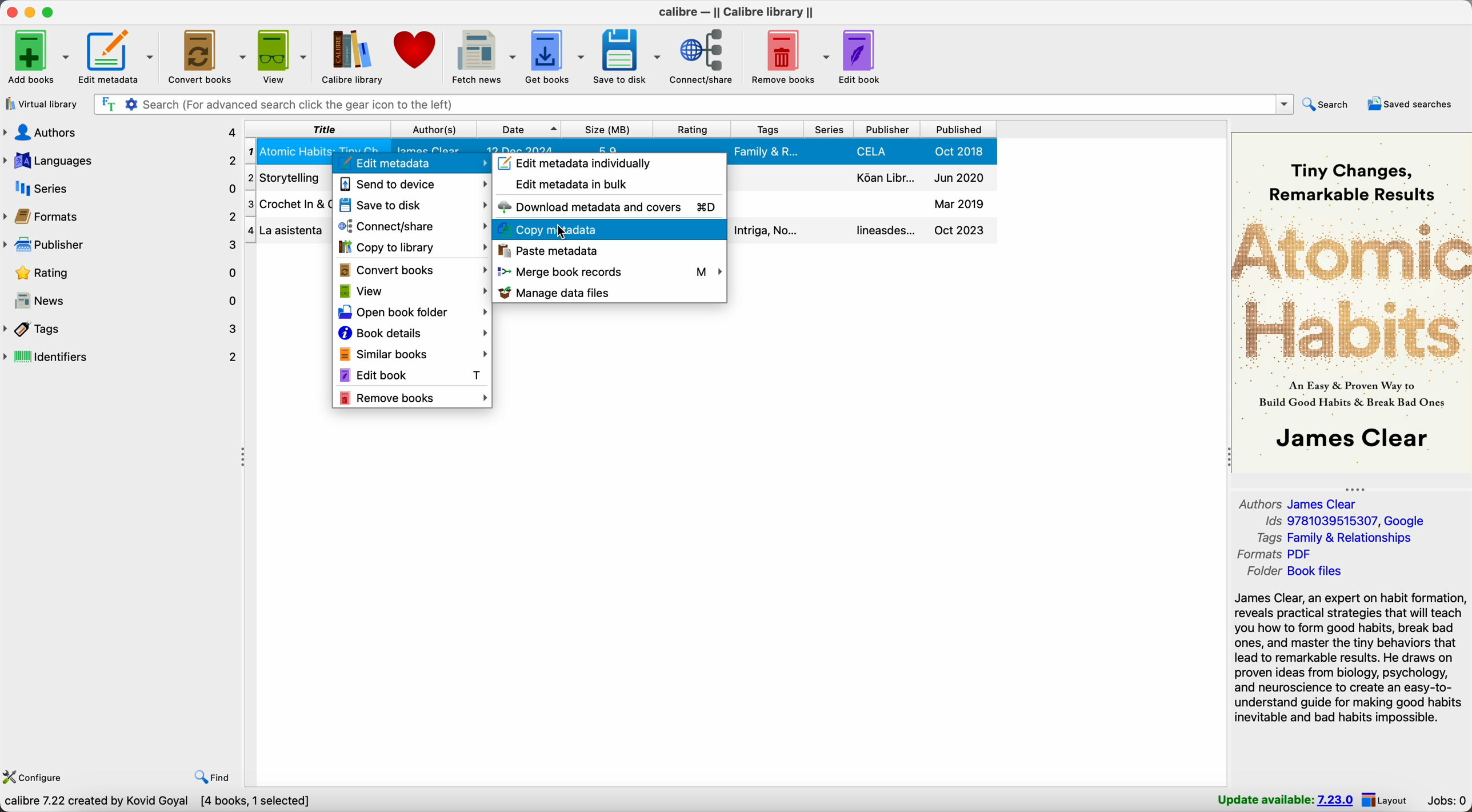  Describe the element at coordinates (122, 189) in the screenshot. I see `series` at that location.